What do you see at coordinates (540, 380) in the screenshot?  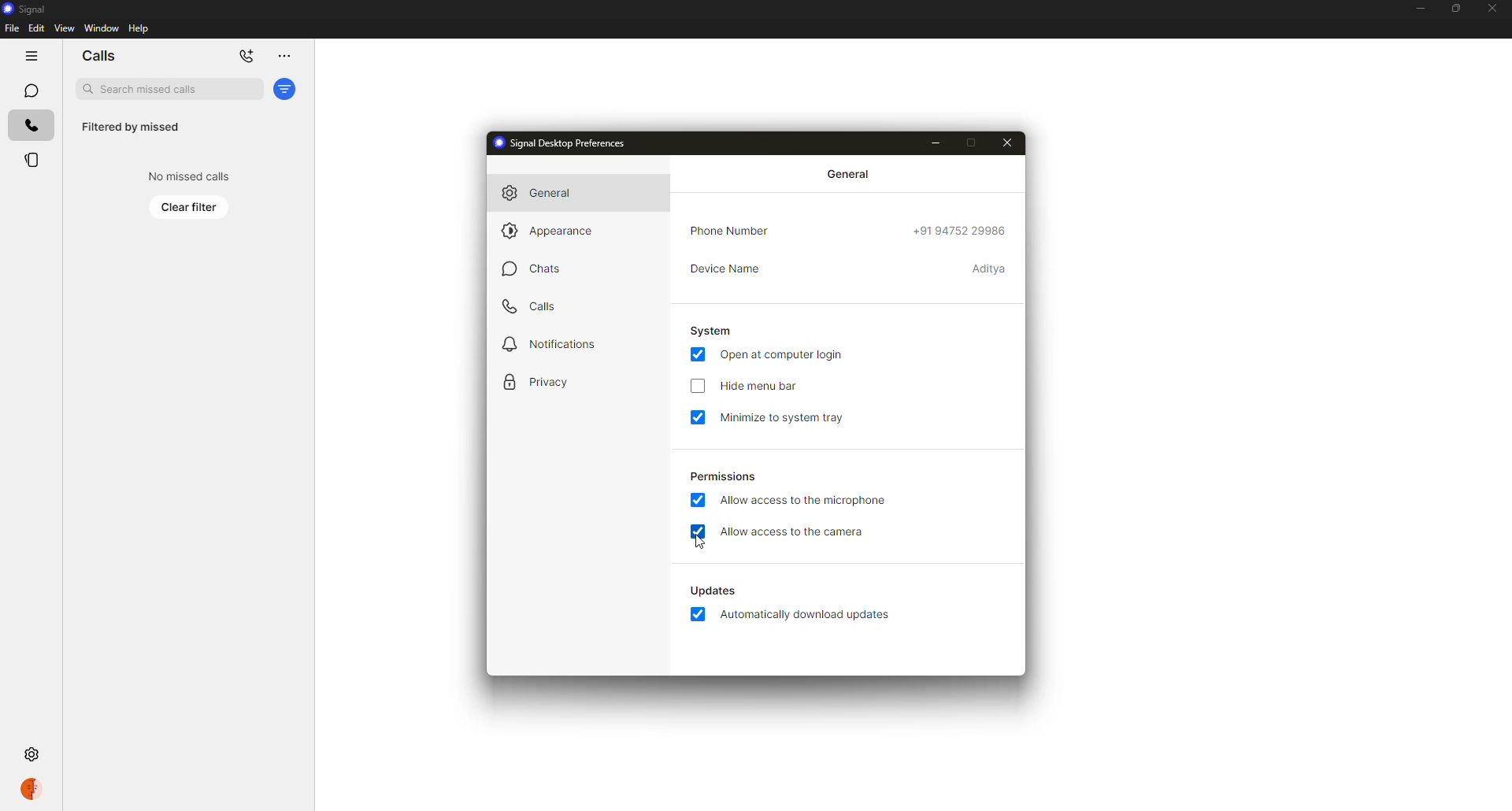 I see `privacy` at bounding box center [540, 380].